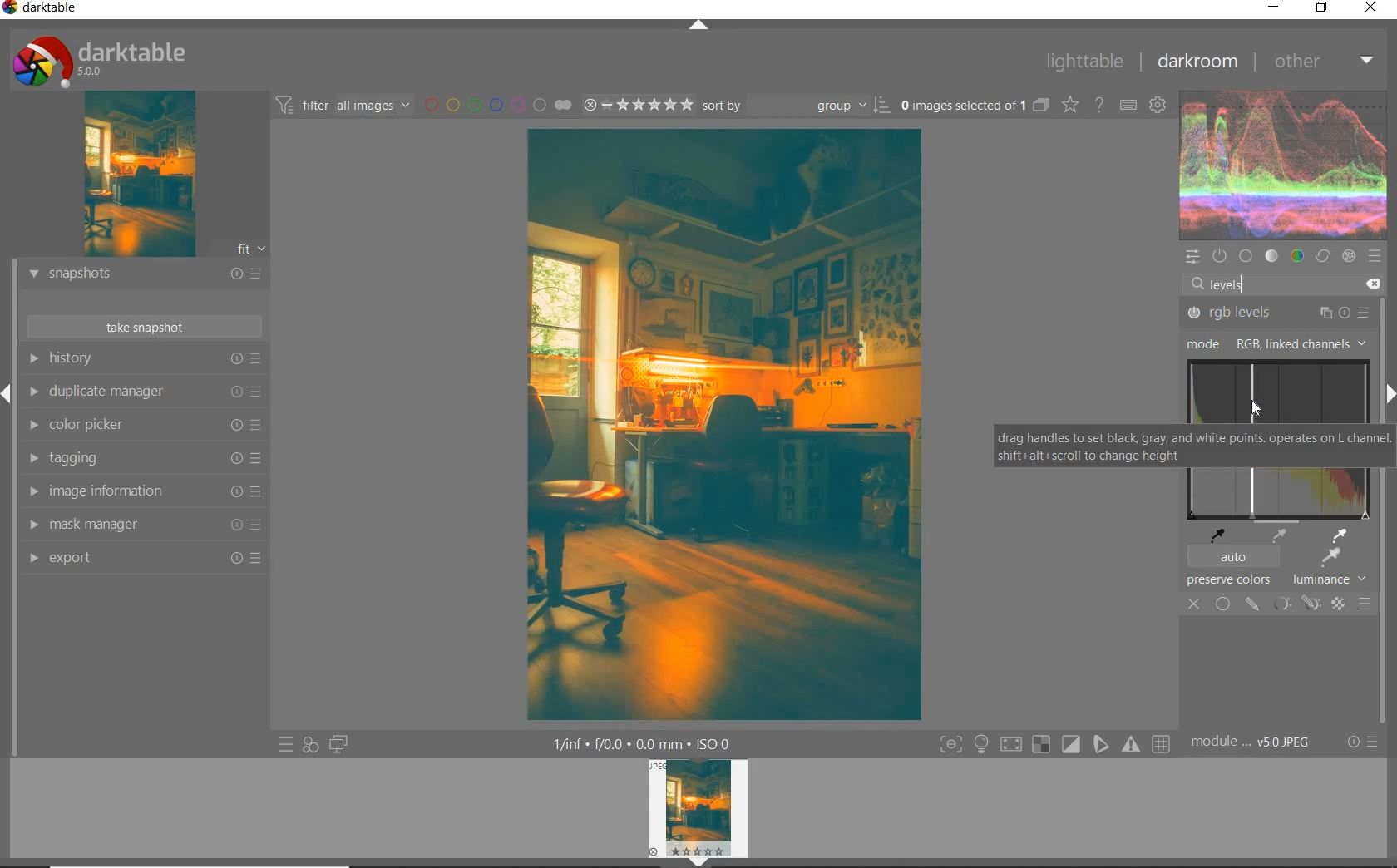 This screenshot has width=1397, height=868. Describe the element at coordinates (1382, 451) in the screenshot. I see `scrollbar` at that location.